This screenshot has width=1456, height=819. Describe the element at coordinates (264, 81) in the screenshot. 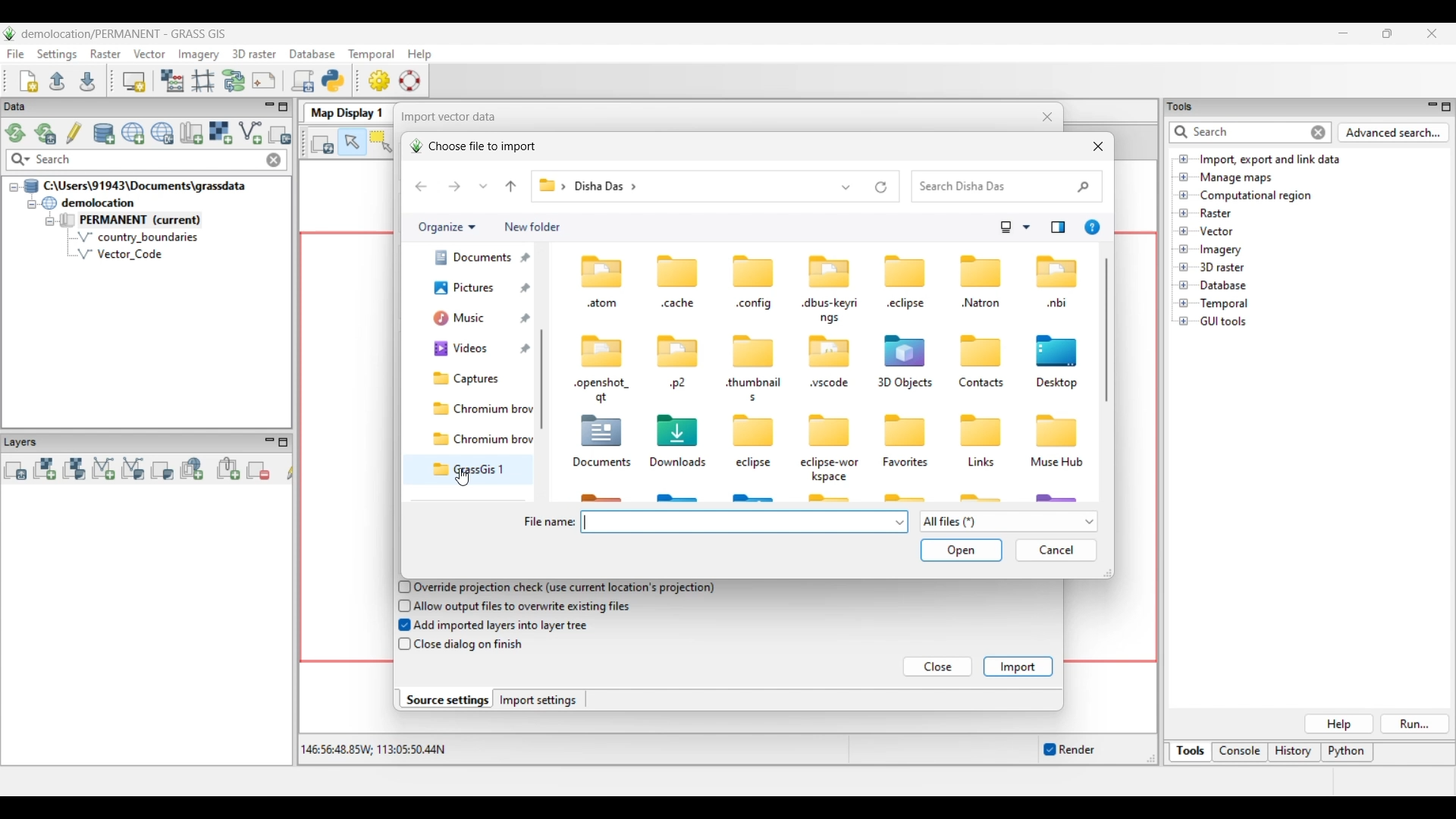

I see `Cartographic composer` at that location.